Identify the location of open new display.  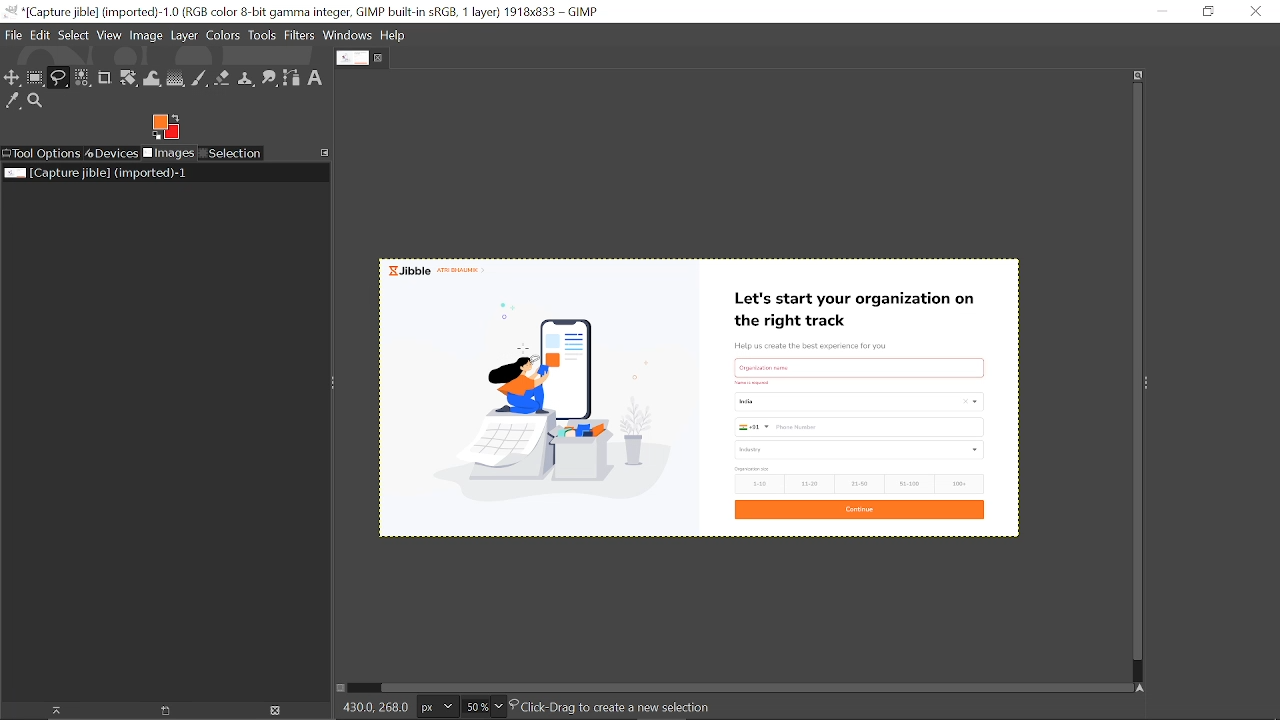
(158, 711).